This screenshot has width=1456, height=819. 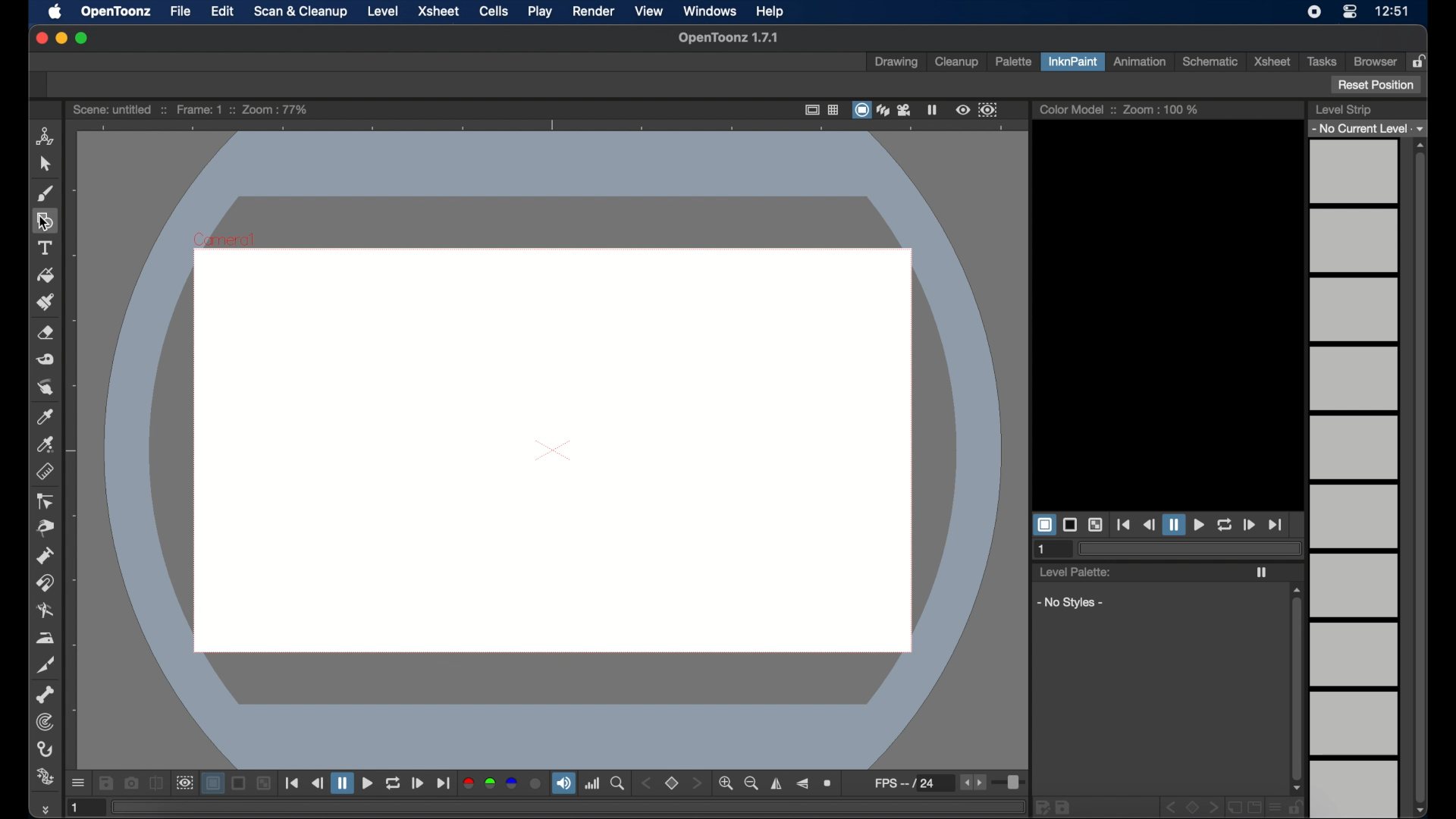 I want to click on tape tool, so click(x=45, y=359).